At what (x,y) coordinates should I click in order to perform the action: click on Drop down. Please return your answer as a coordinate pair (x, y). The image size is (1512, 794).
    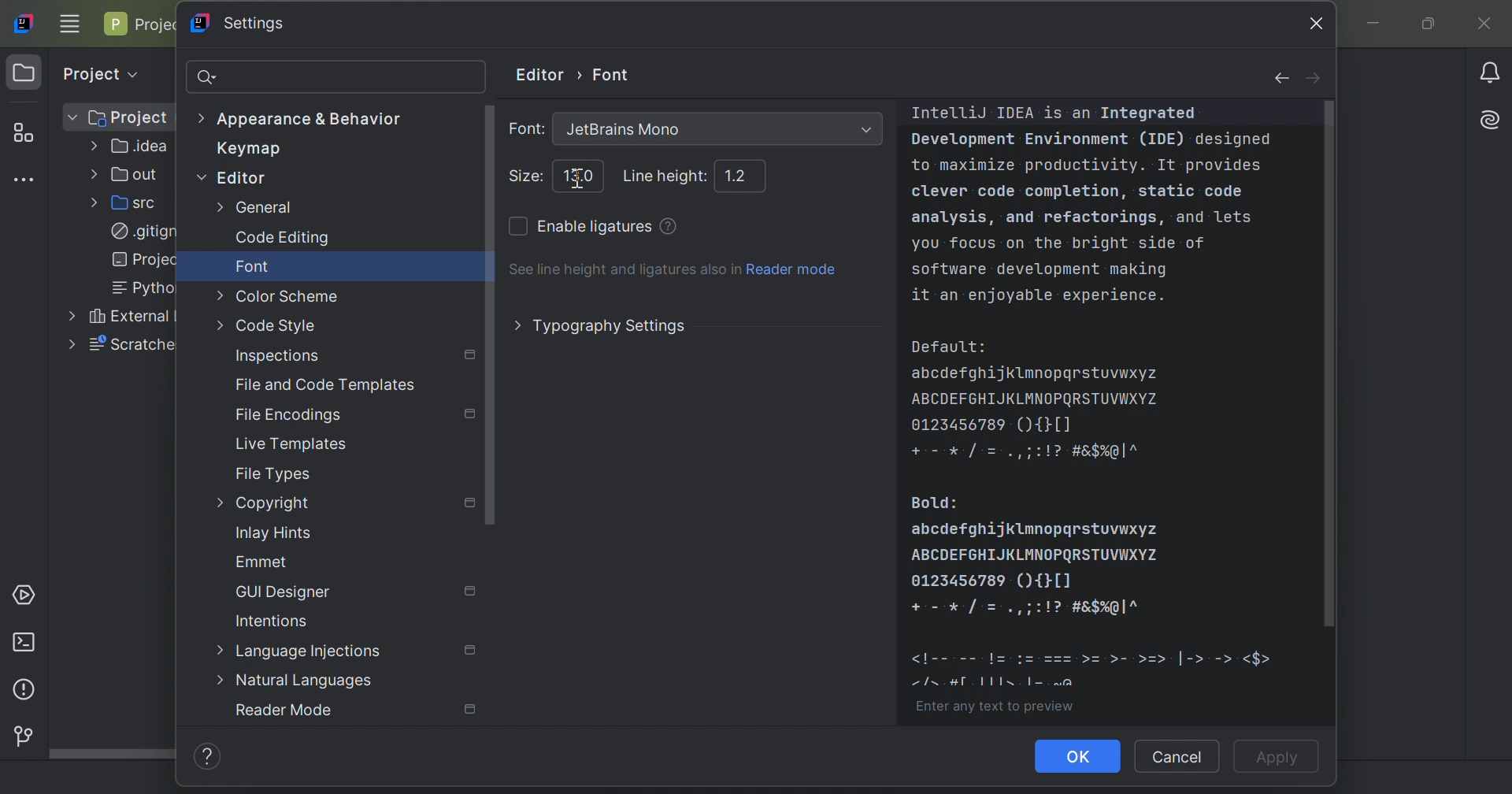
    Looking at the image, I should click on (865, 129).